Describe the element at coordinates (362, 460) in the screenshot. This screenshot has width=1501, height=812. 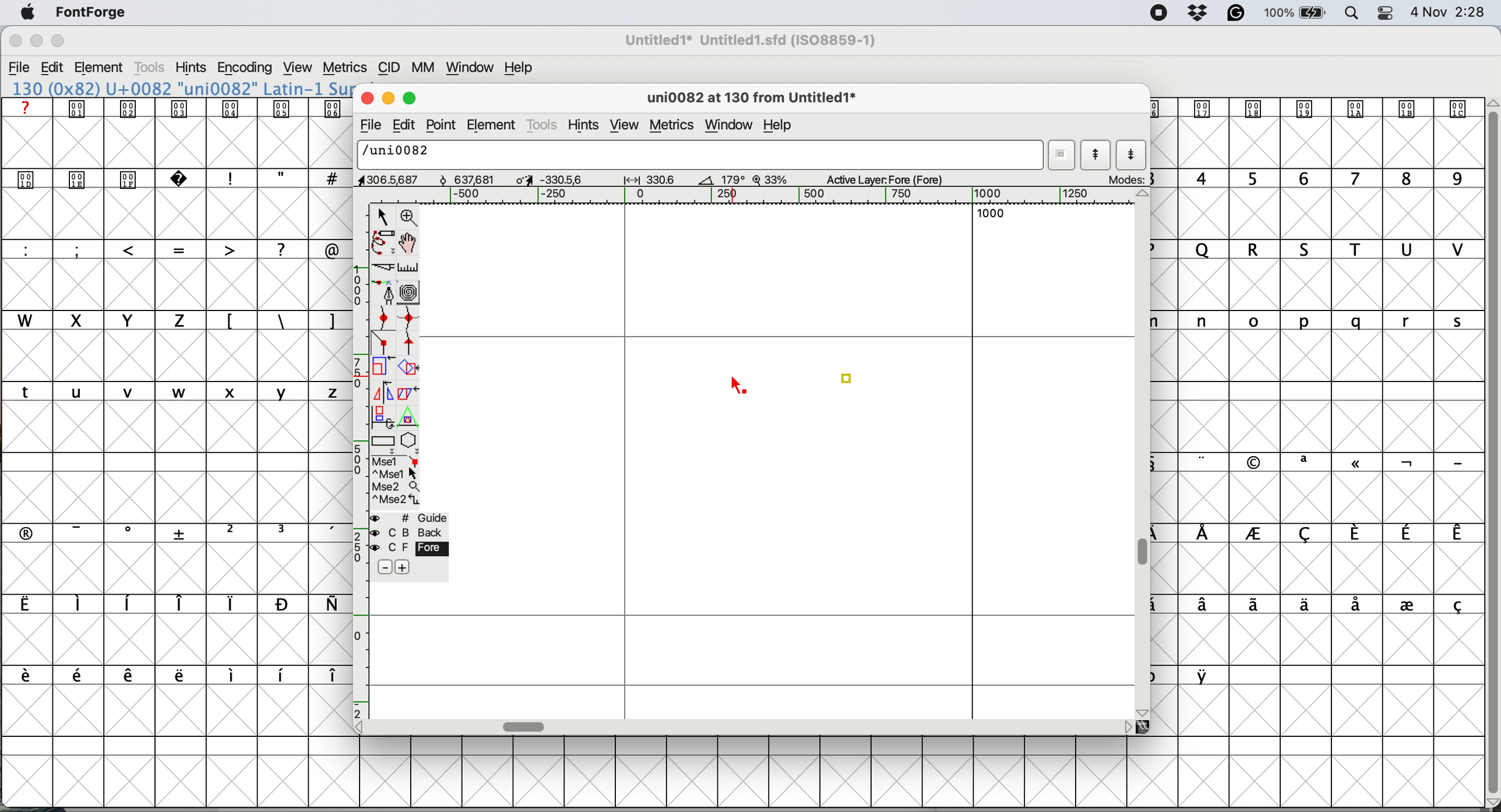
I see `vertical scale` at that location.